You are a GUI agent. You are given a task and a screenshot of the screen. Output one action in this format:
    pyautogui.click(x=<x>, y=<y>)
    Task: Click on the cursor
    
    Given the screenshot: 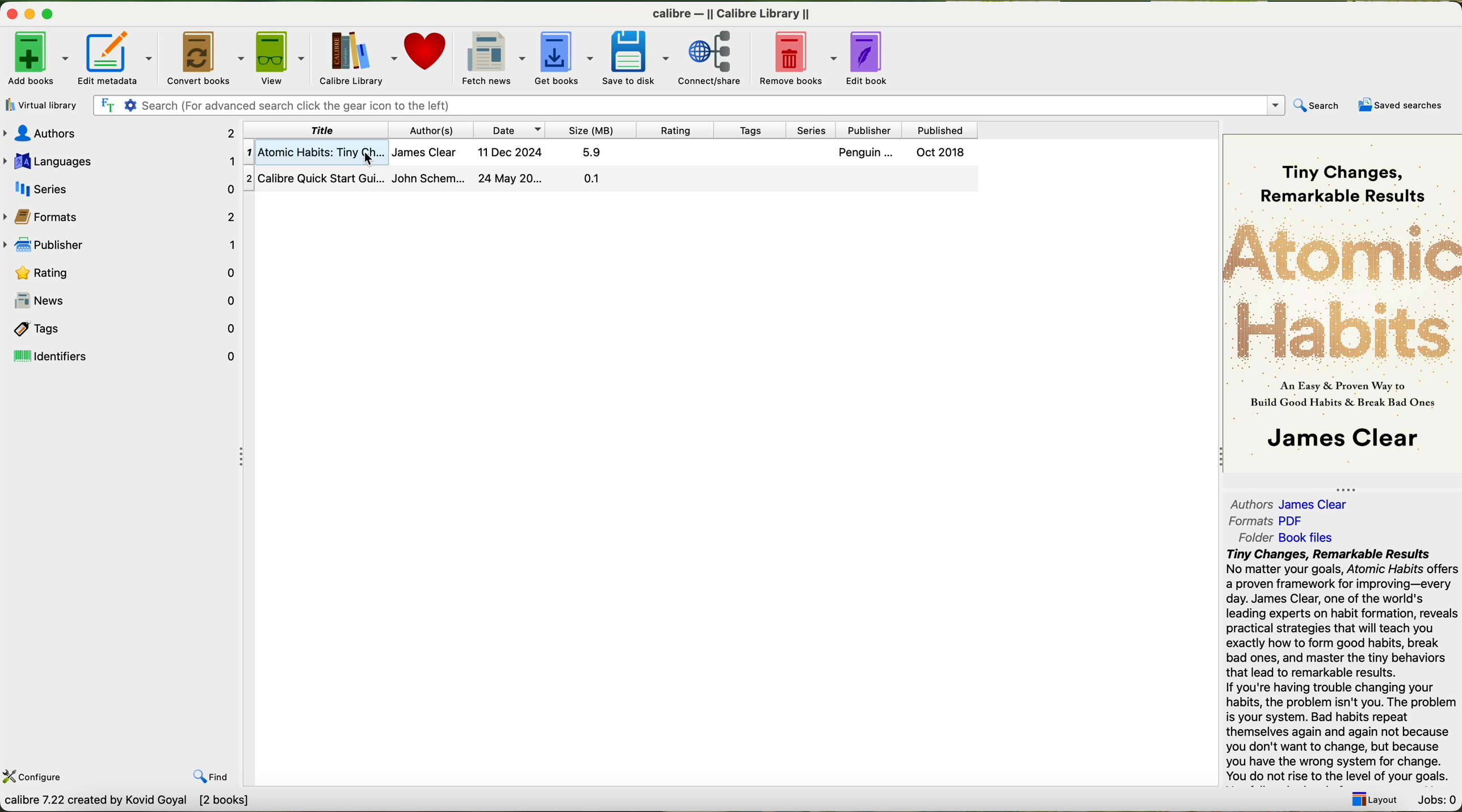 What is the action you would take?
    pyautogui.click(x=370, y=159)
    